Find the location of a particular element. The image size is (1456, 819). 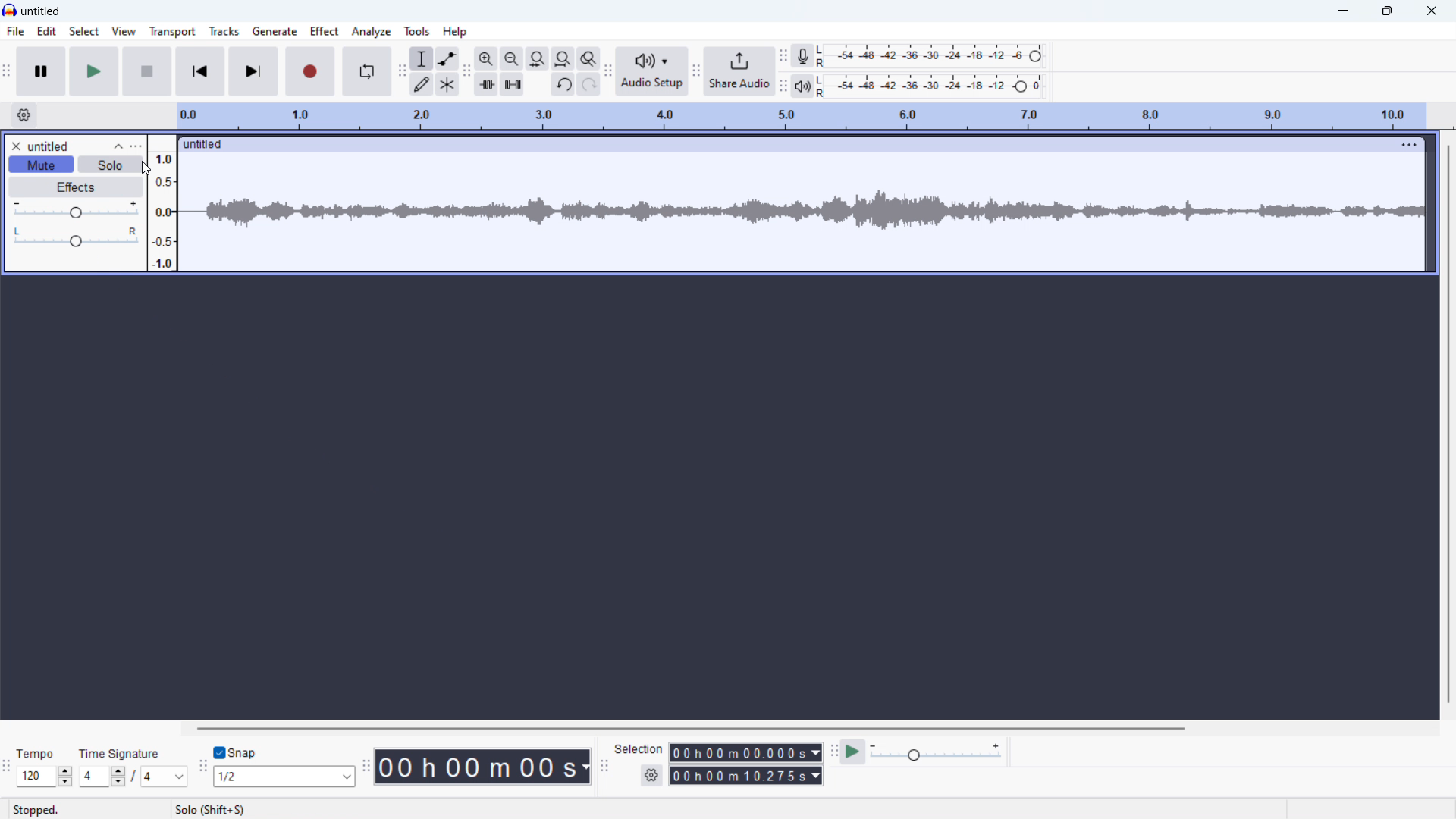

draw tool is located at coordinates (422, 85).